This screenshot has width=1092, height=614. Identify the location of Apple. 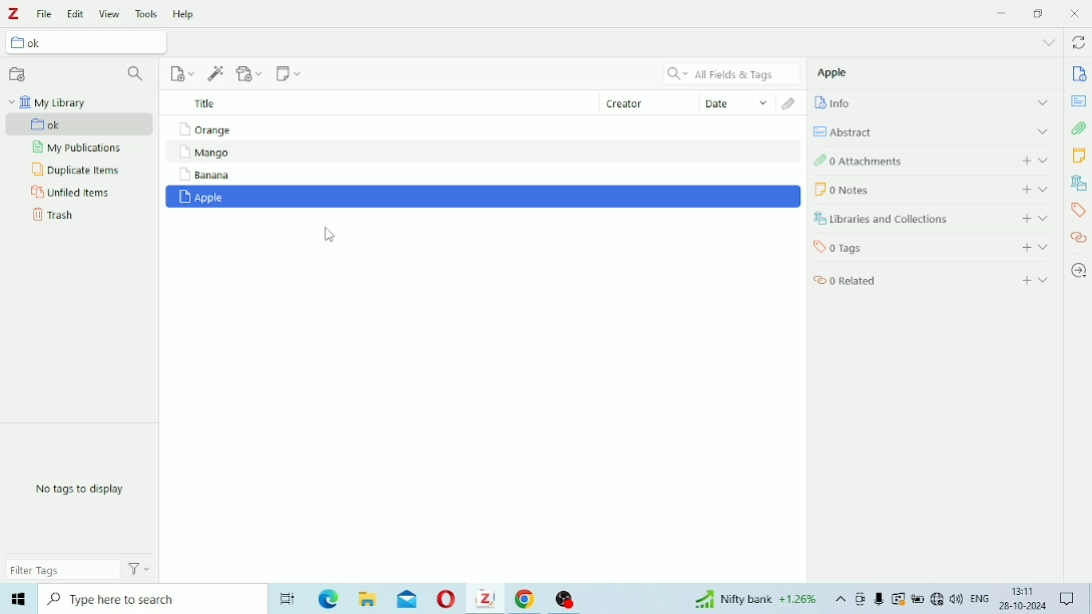
(482, 198).